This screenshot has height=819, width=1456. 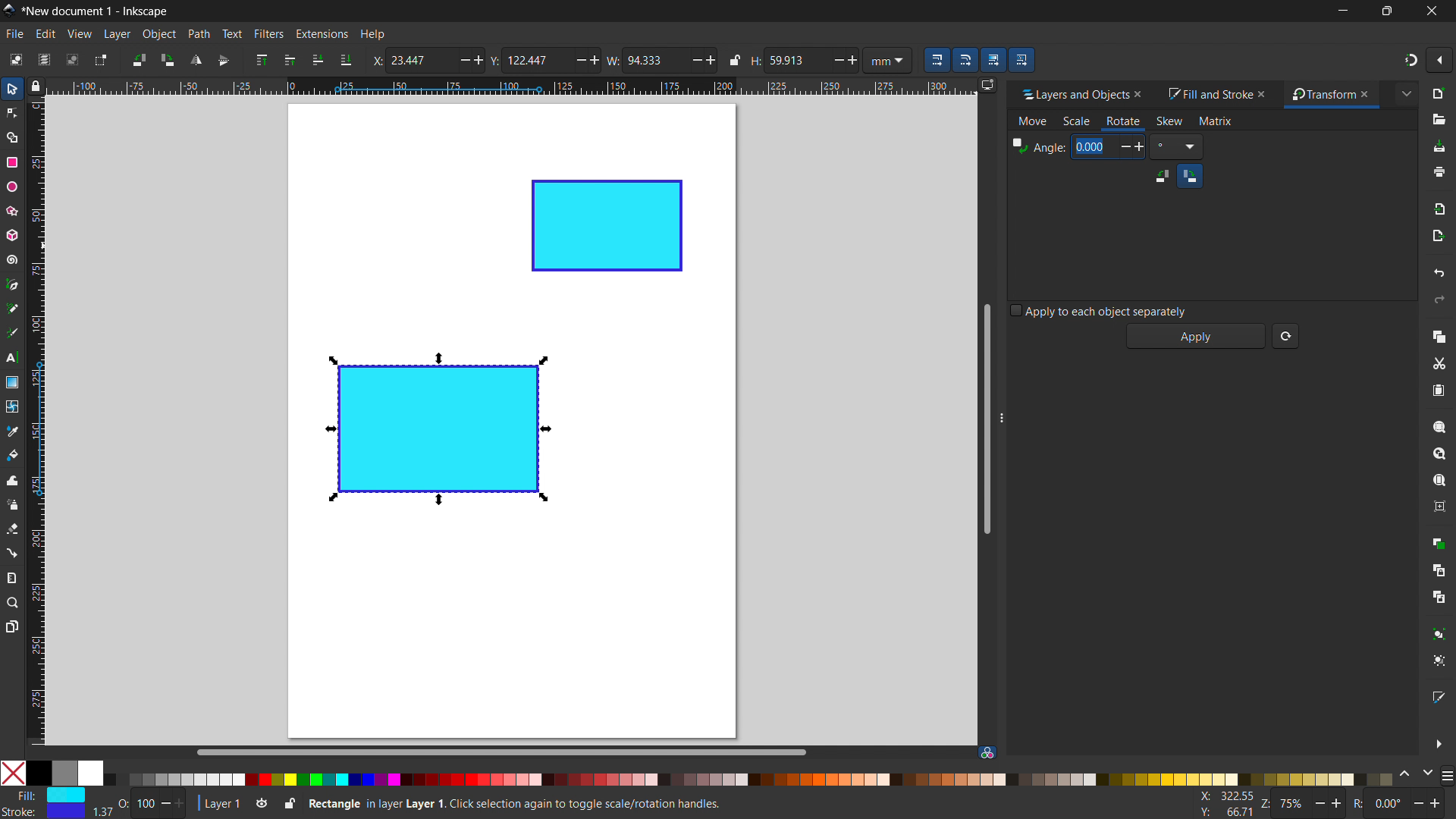 What do you see at coordinates (11, 332) in the screenshot?
I see `caligraphy tool` at bounding box center [11, 332].